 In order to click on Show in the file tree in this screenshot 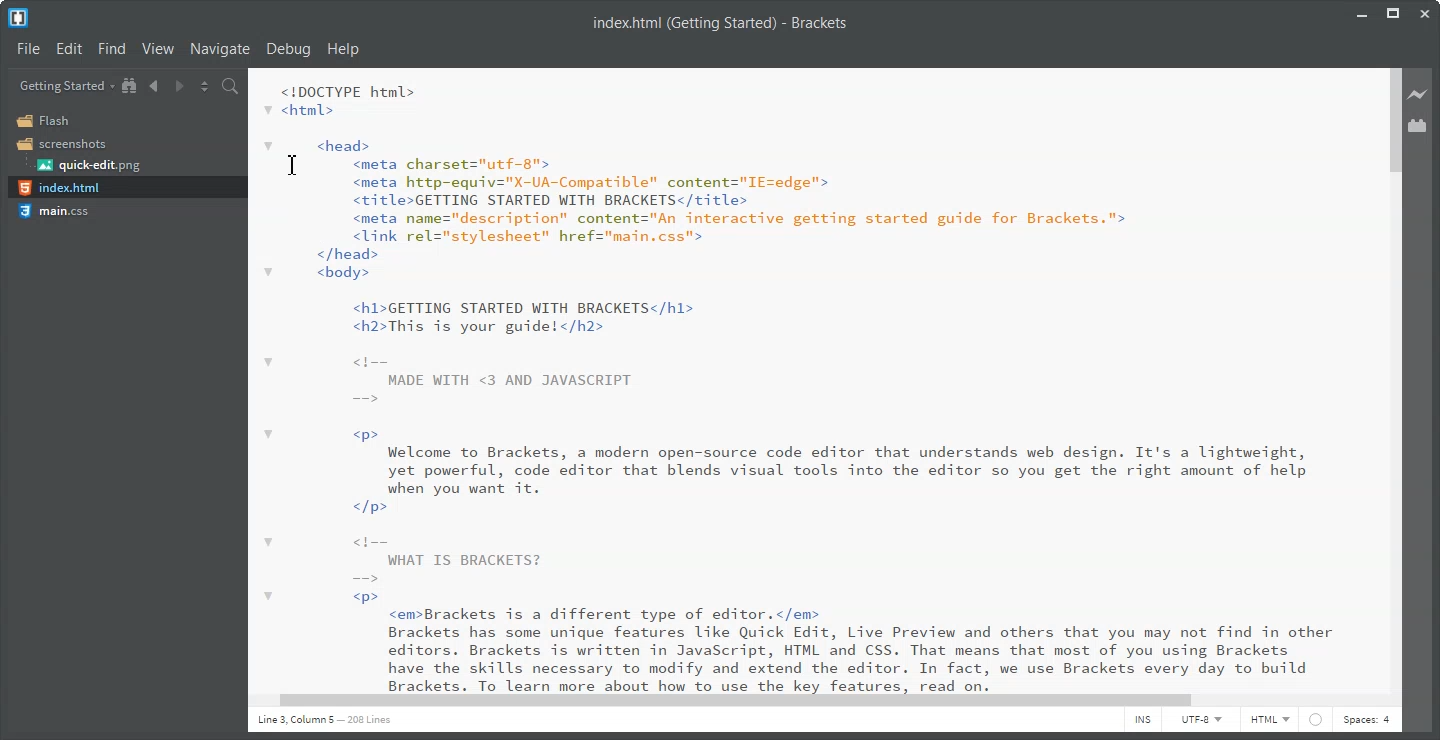, I will do `click(130, 85)`.